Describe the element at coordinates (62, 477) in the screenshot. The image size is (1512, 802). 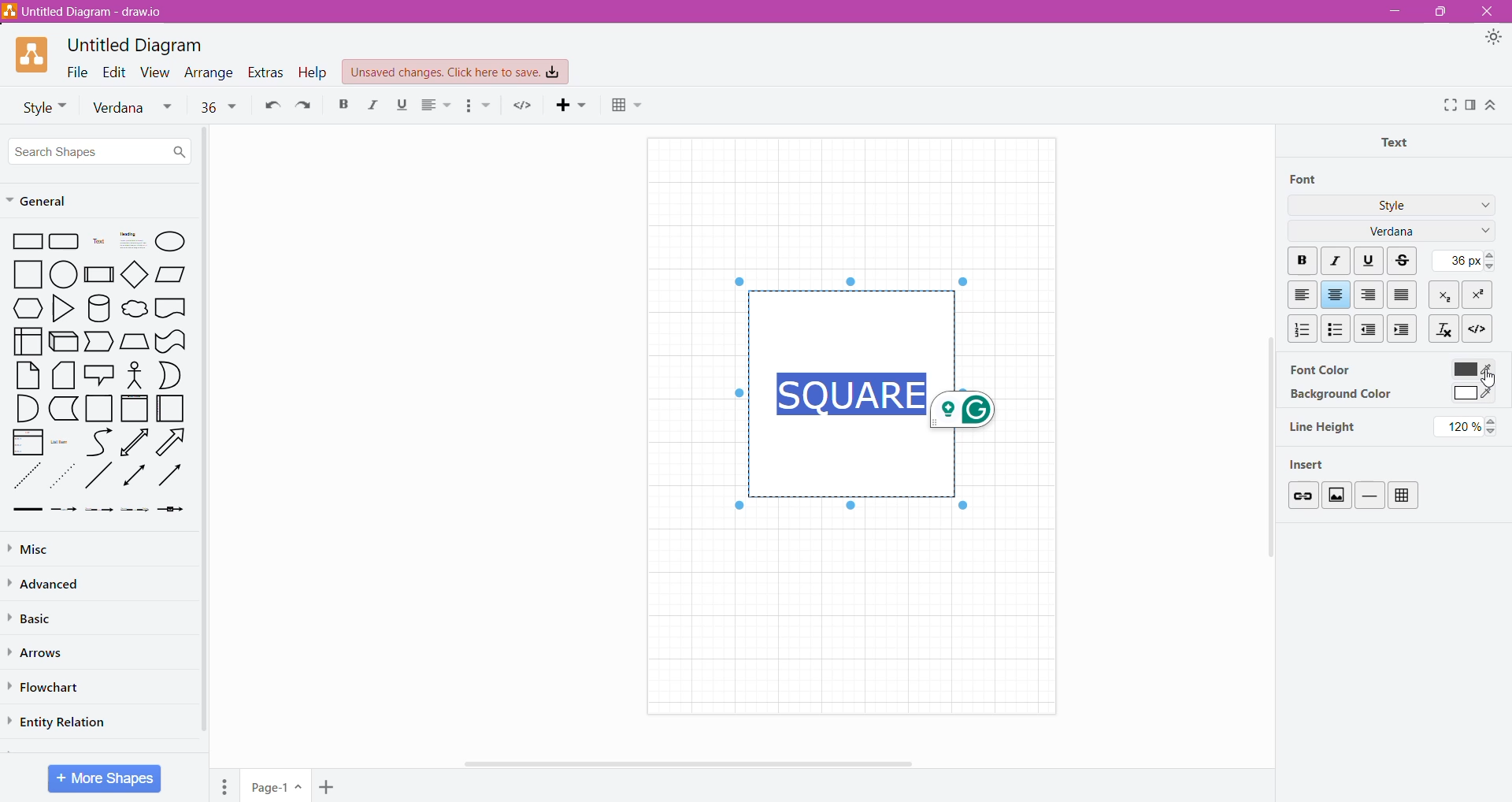
I see `Dotted Arrow ` at that location.